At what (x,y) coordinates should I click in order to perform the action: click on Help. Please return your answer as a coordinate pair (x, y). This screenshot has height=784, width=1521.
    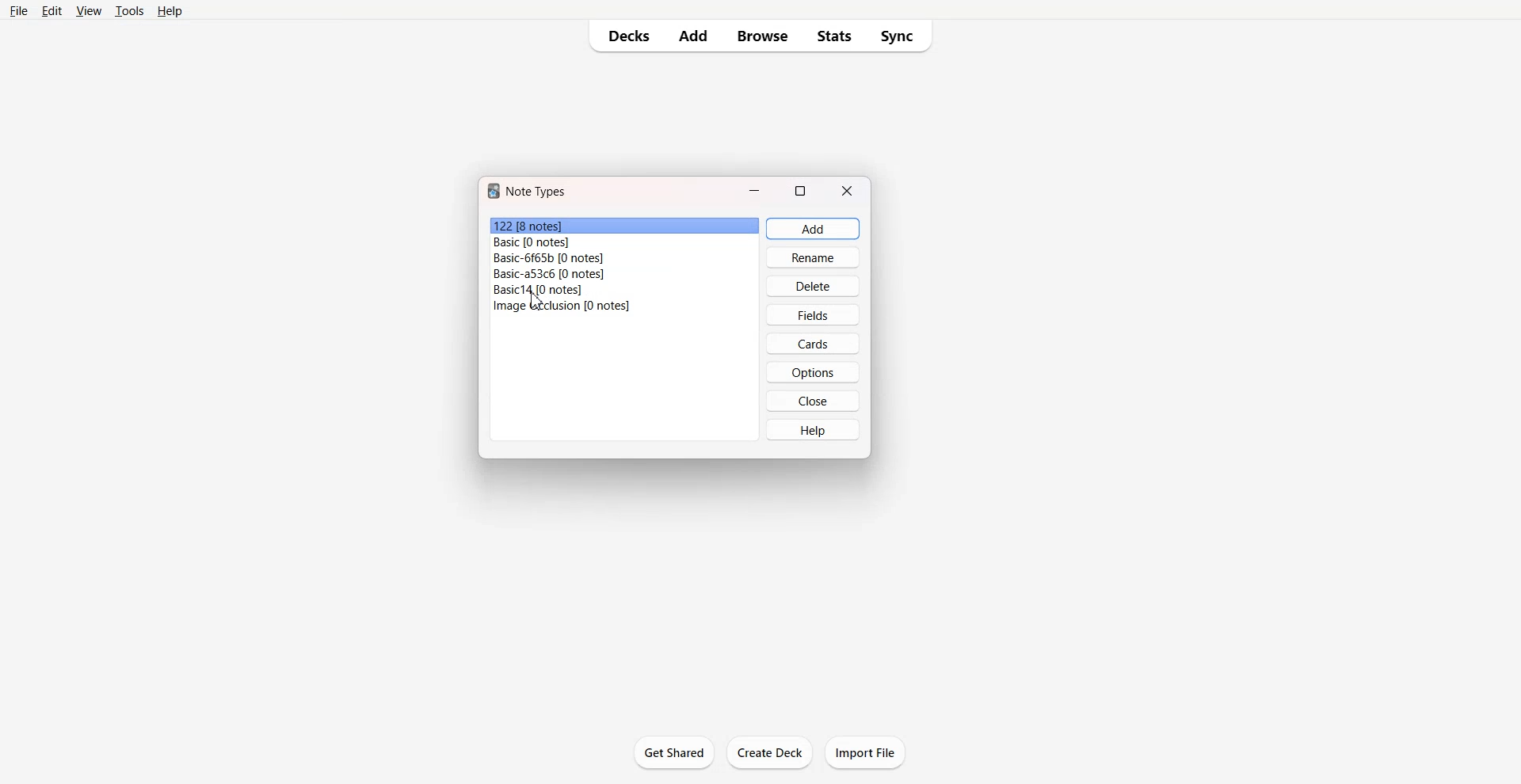
    Looking at the image, I should click on (811, 429).